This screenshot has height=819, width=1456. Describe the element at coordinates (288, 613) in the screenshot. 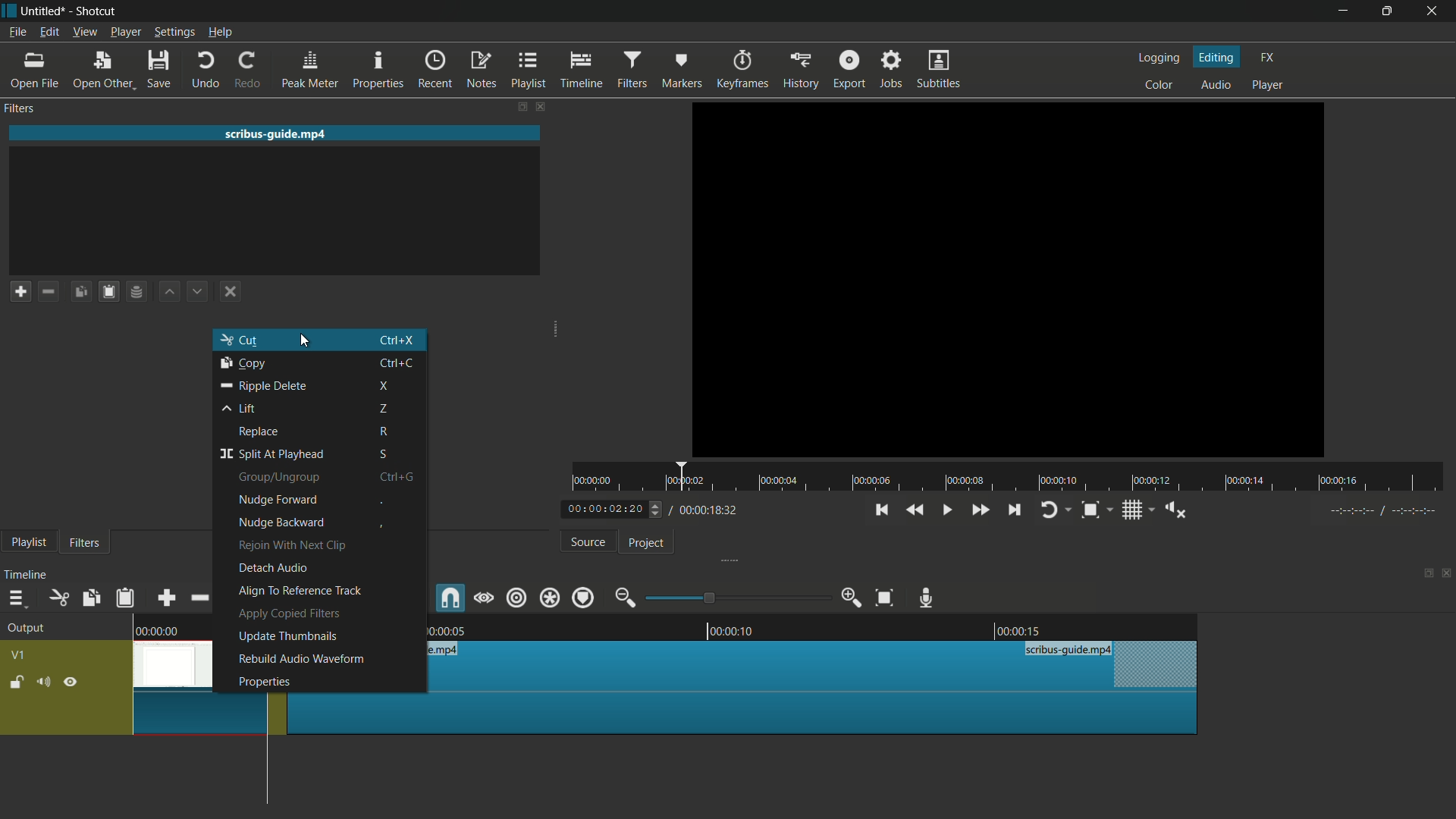

I see `apply copied filters` at that location.